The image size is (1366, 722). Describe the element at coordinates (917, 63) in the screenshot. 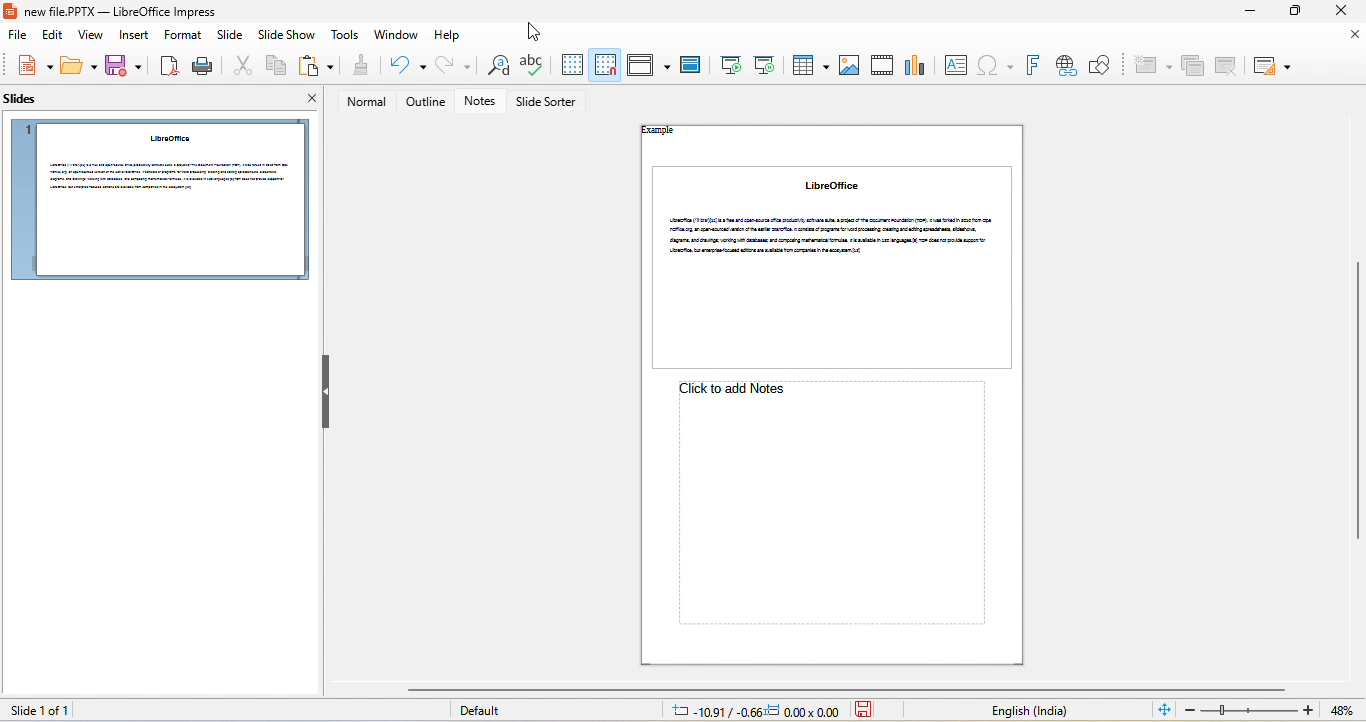

I see `chart` at that location.